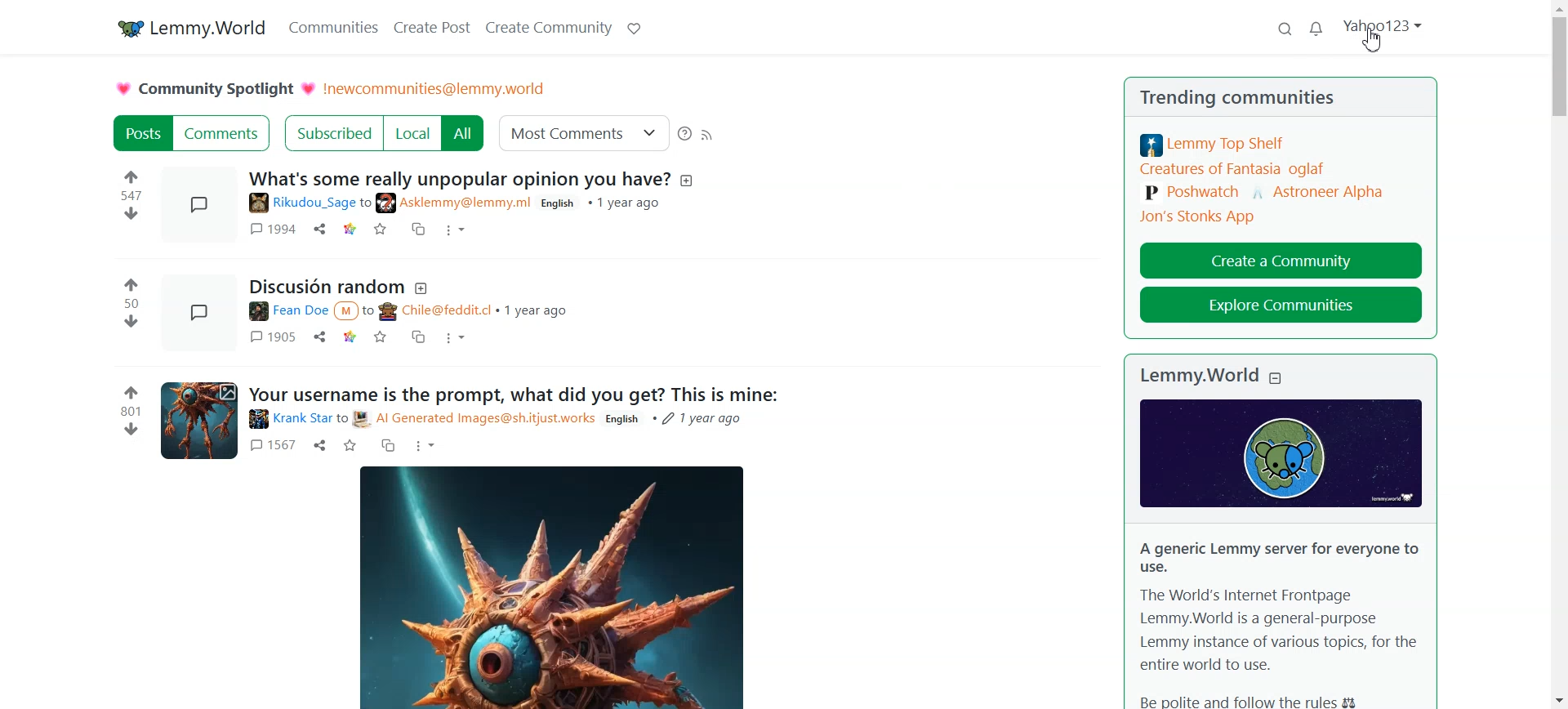 The width and height of the screenshot is (1568, 709). I want to click on M to, so click(354, 311).